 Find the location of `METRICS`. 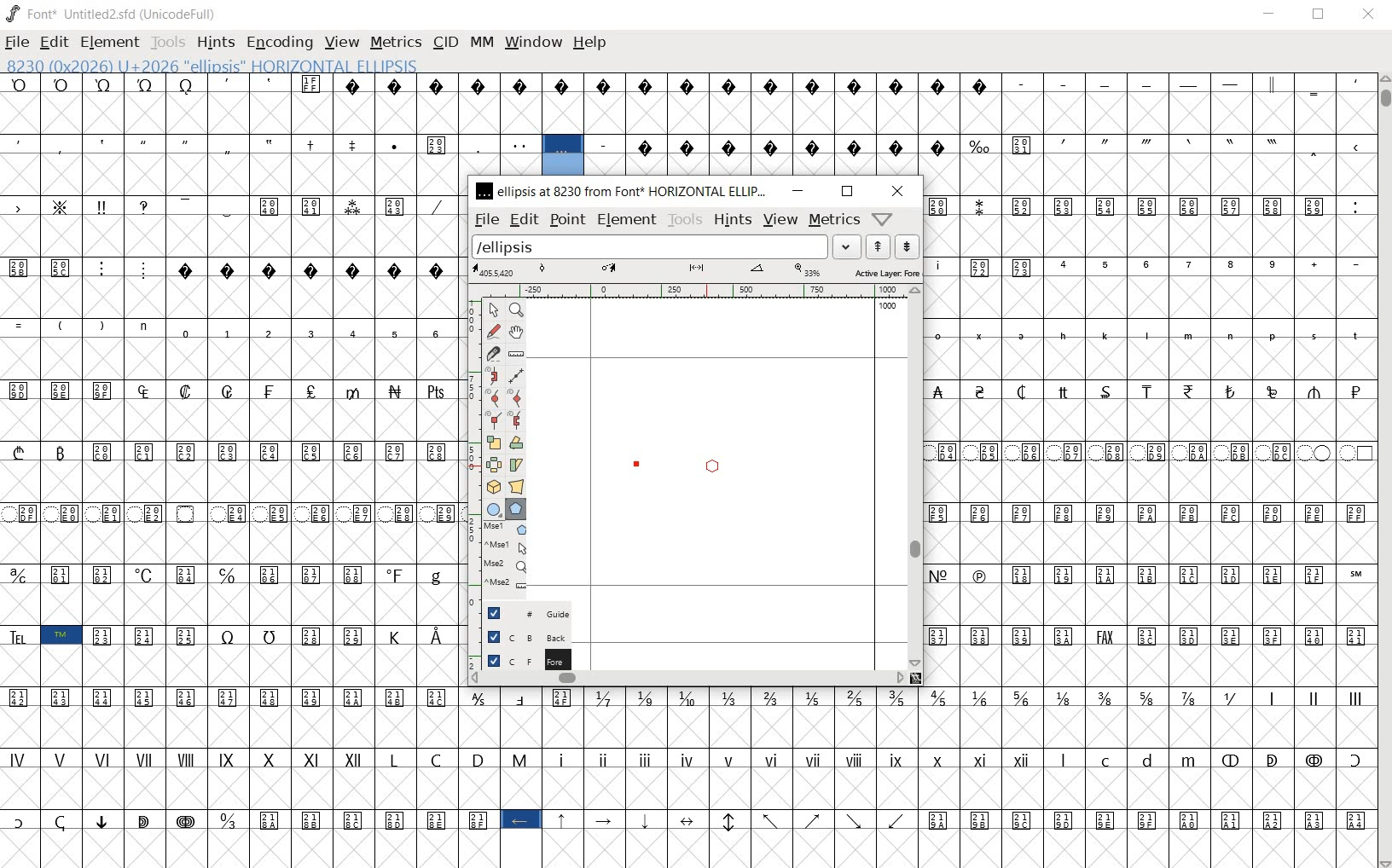

METRICS is located at coordinates (396, 42).